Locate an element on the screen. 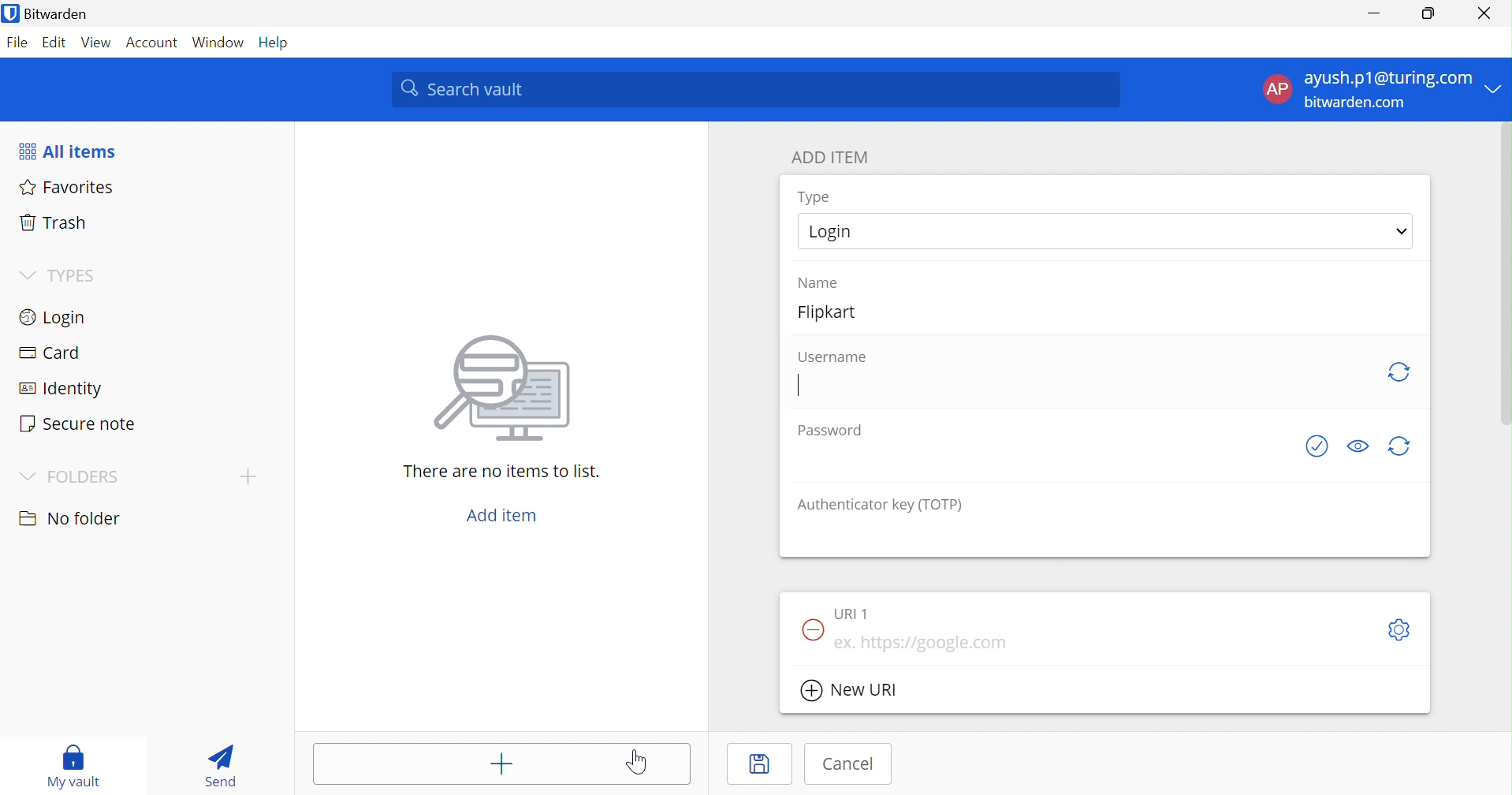 The width and height of the screenshot is (1512, 795). Cancel is located at coordinates (849, 763).